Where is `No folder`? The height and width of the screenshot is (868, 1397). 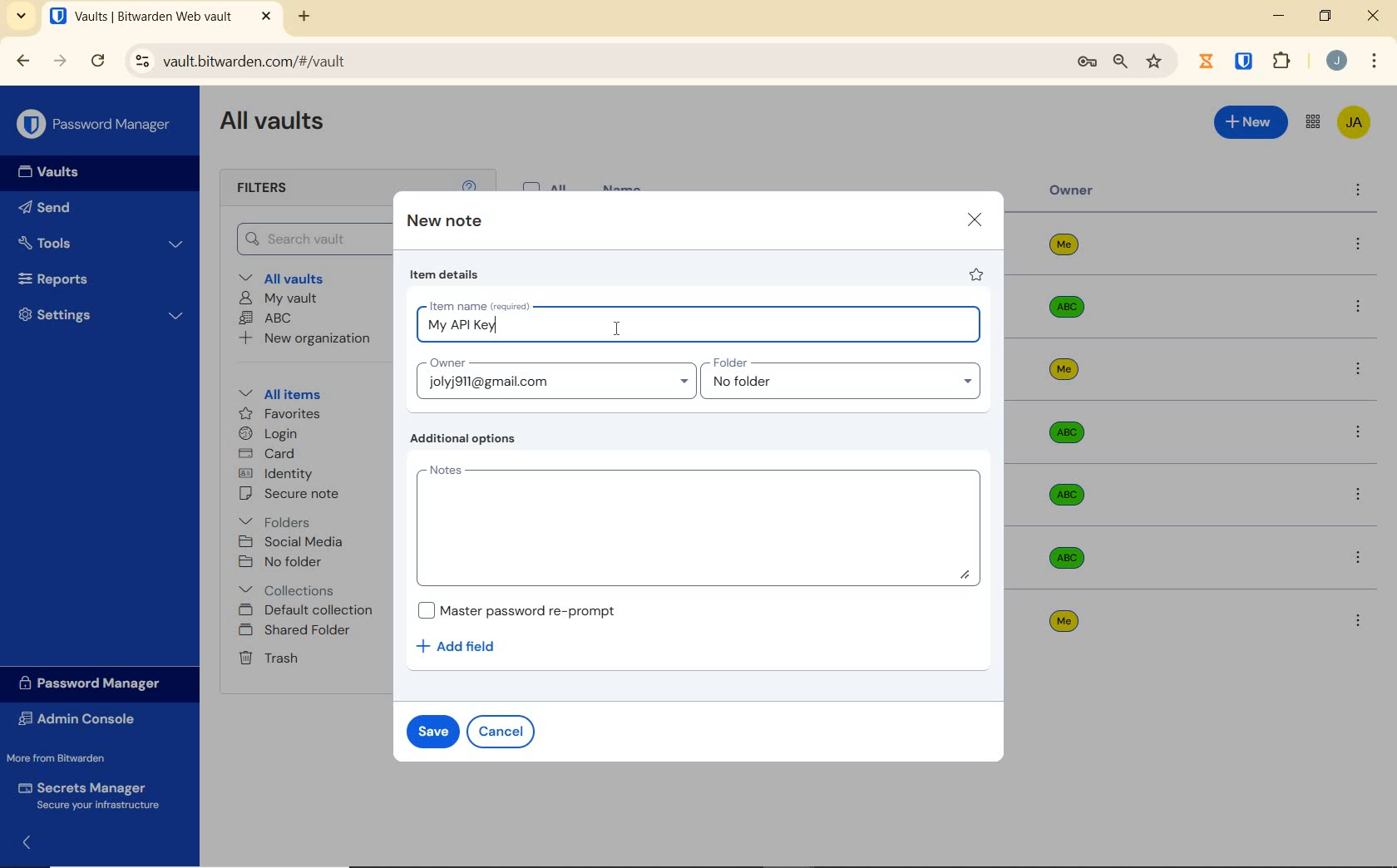
No folder is located at coordinates (284, 562).